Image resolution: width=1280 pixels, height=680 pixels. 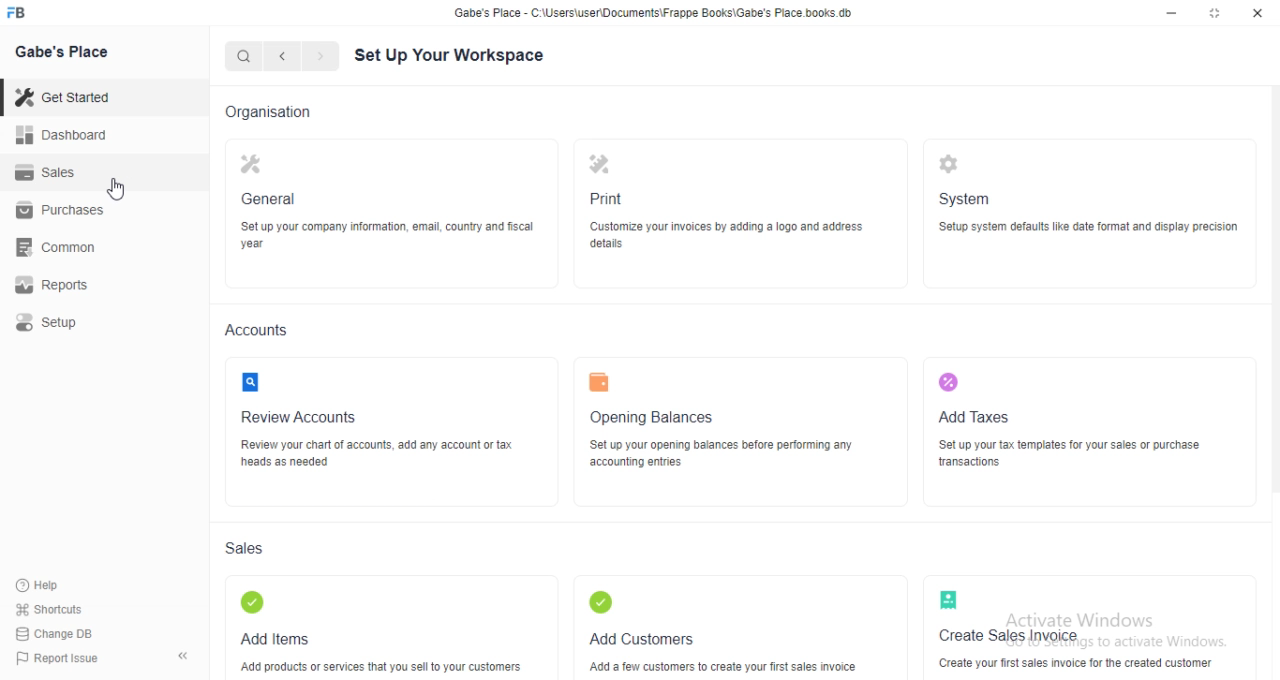 I want to click on Opening Balances, so click(x=654, y=393).